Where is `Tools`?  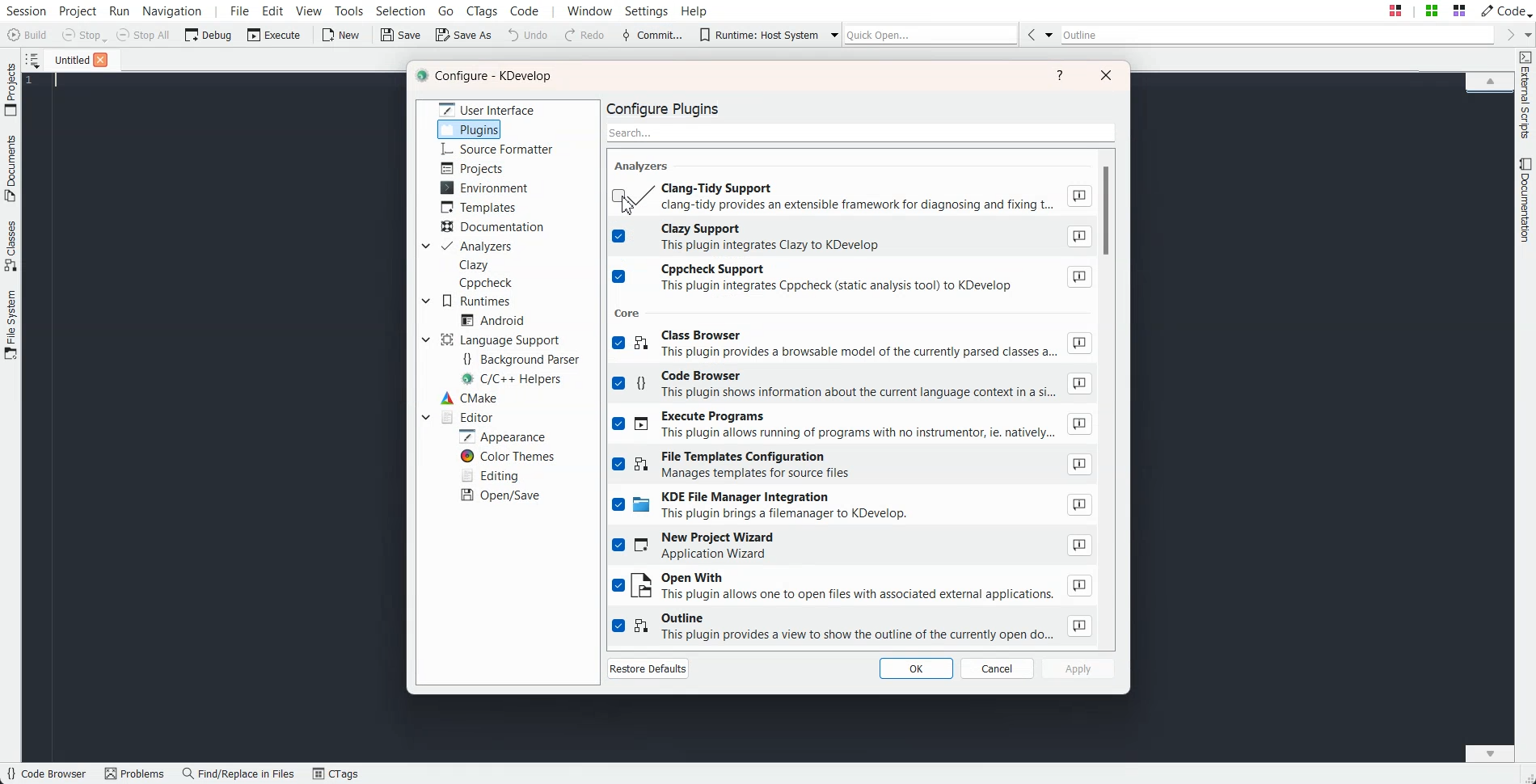 Tools is located at coordinates (350, 11).